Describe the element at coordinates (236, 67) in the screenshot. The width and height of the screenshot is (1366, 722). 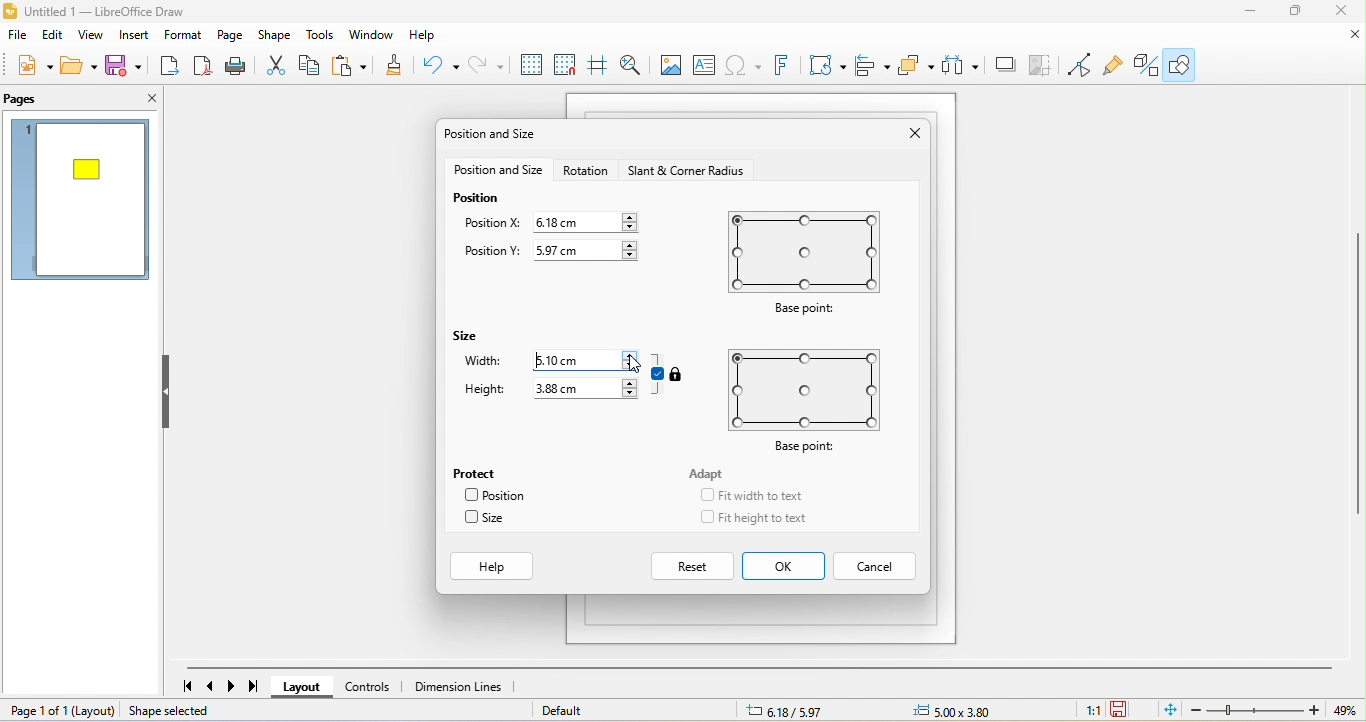
I see `print` at that location.